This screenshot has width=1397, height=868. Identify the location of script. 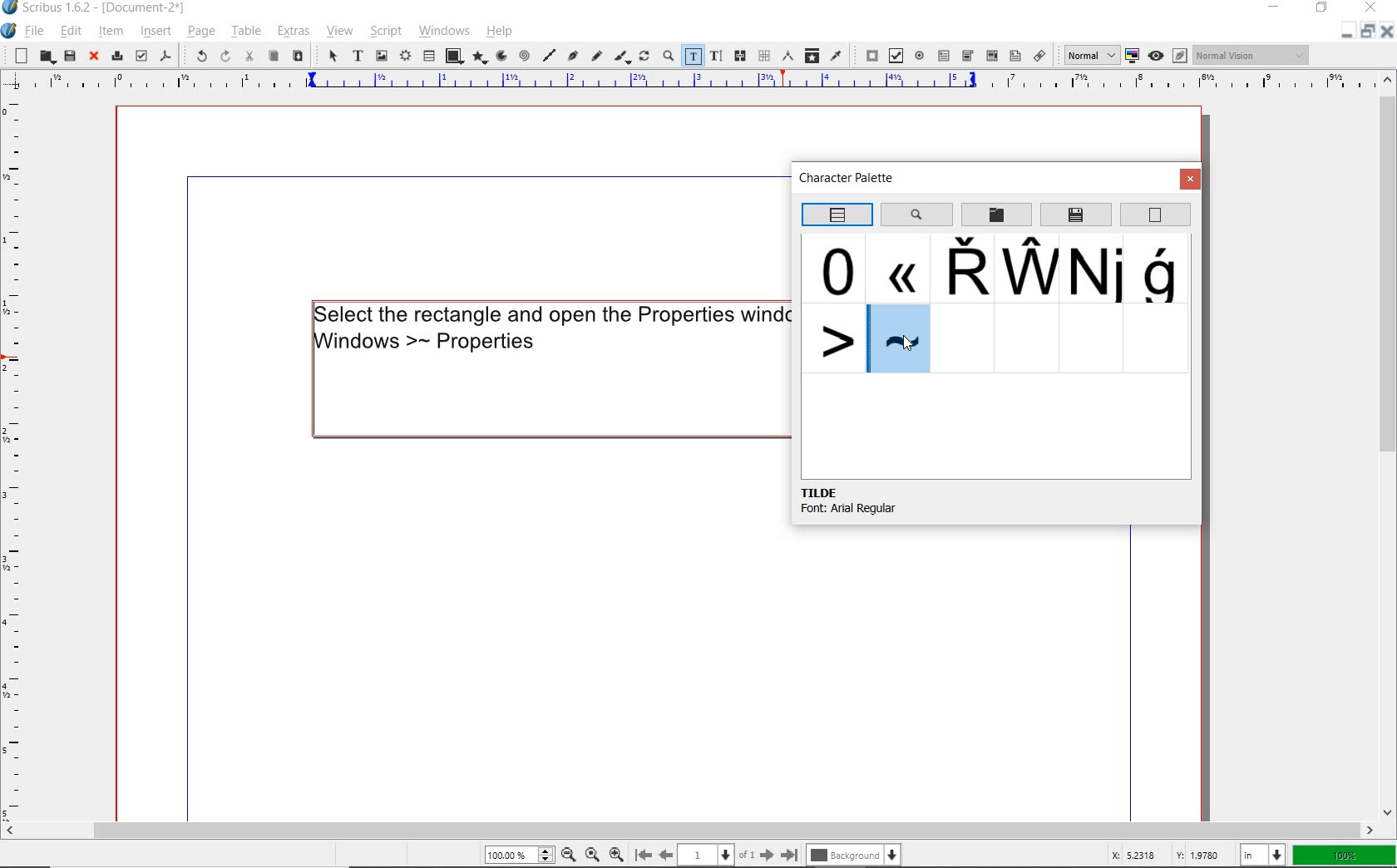
(383, 32).